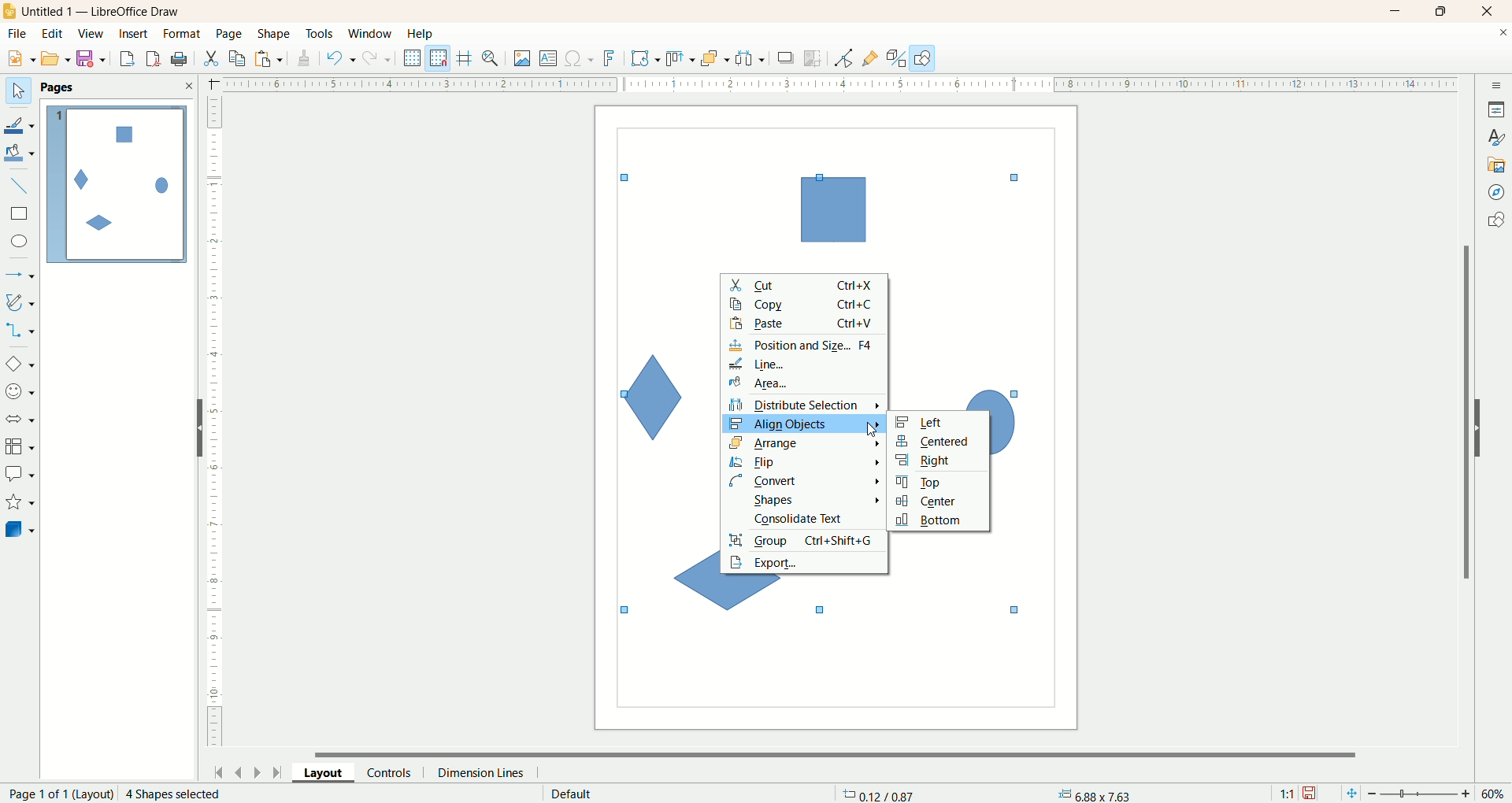 Image resolution: width=1512 pixels, height=803 pixels. What do you see at coordinates (1287, 794) in the screenshot?
I see `scale factor` at bounding box center [1287, 794].